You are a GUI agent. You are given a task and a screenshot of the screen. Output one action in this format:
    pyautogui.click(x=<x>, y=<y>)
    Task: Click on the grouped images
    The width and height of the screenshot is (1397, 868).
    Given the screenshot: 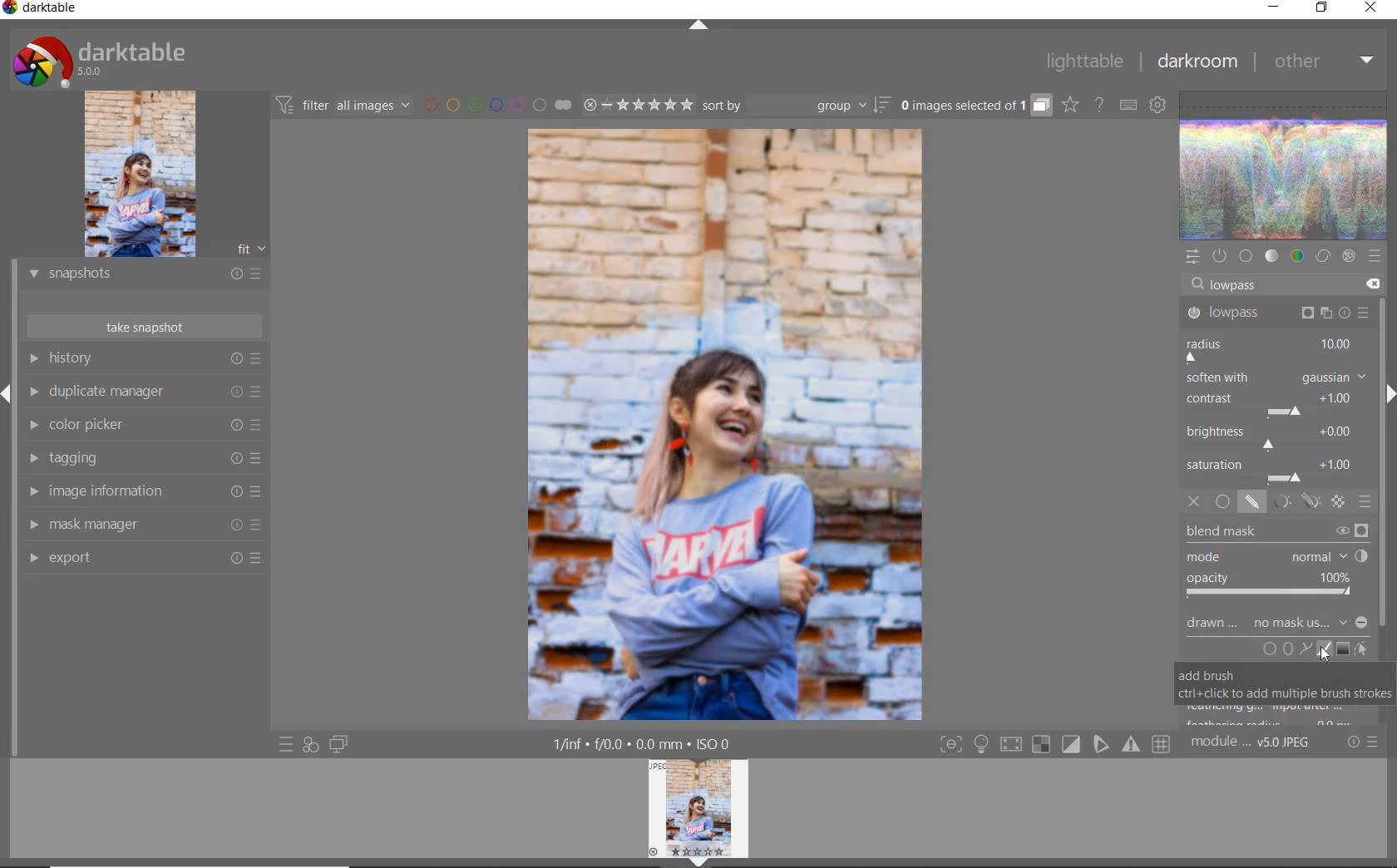 What is the action you would take?
    pyautogui.click(x=975, y=106)
    